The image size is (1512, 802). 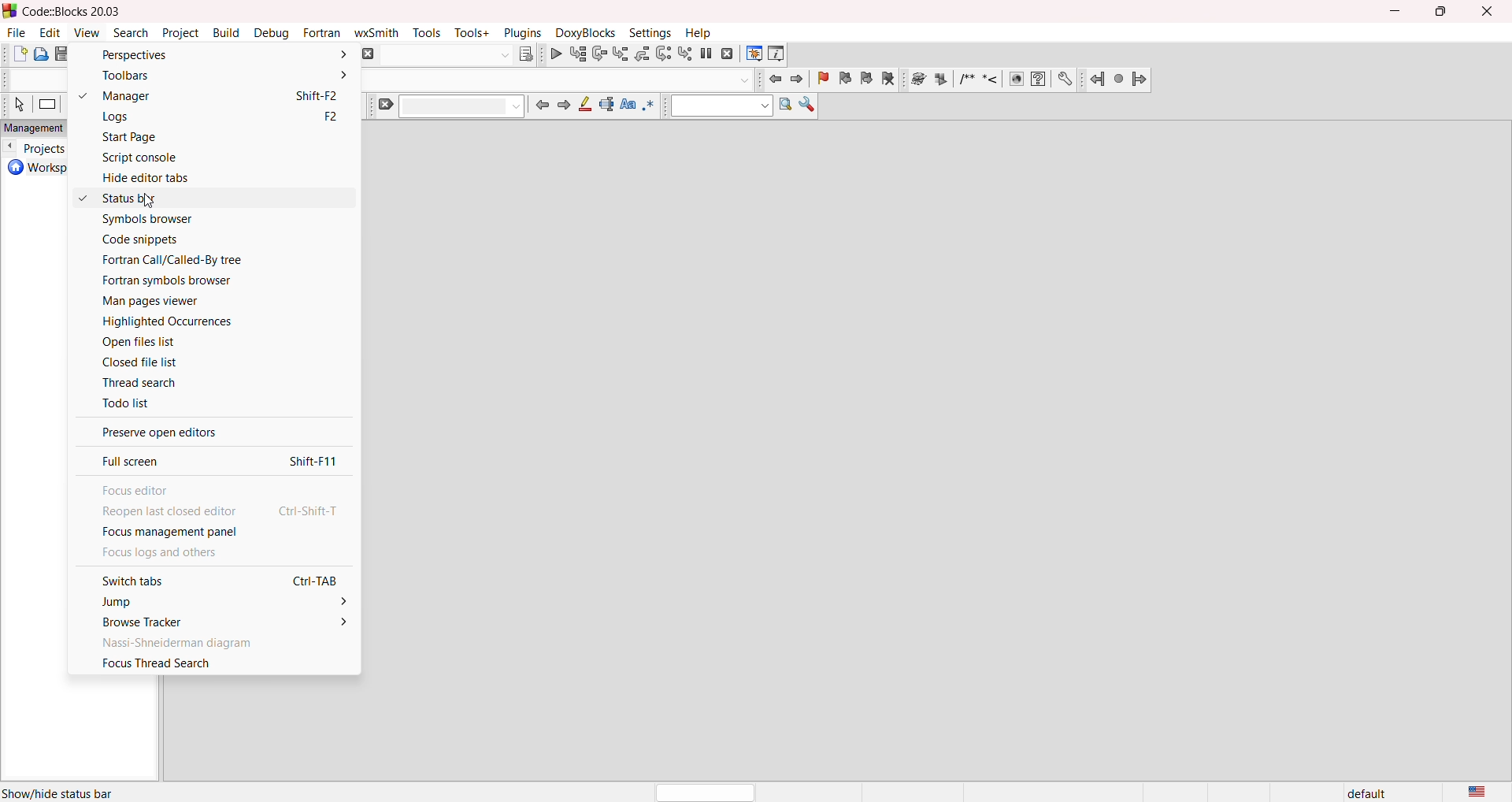 I want to click on Run search, so click(x=786, y=106).